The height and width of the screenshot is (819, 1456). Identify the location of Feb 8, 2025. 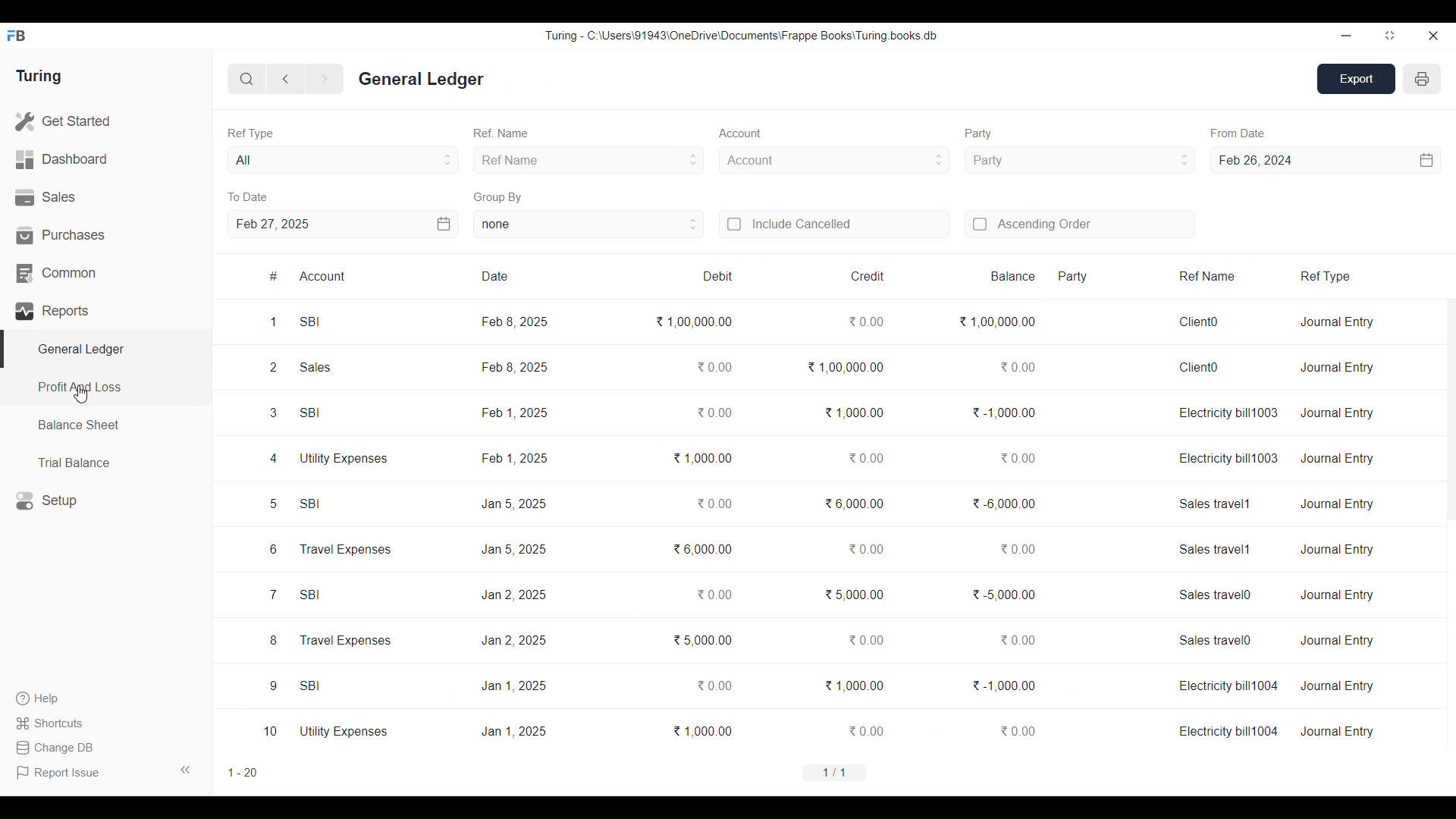
(513, 367).